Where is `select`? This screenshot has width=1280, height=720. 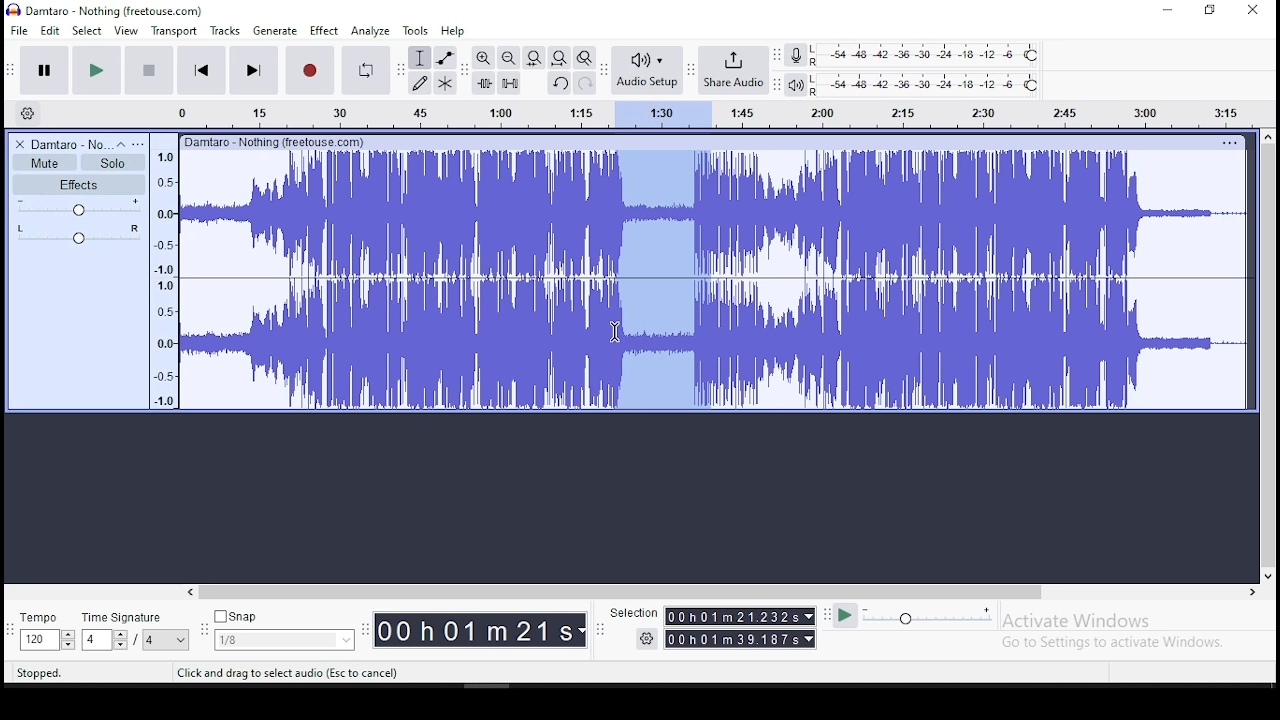 select is located at coordinates (89, 30).